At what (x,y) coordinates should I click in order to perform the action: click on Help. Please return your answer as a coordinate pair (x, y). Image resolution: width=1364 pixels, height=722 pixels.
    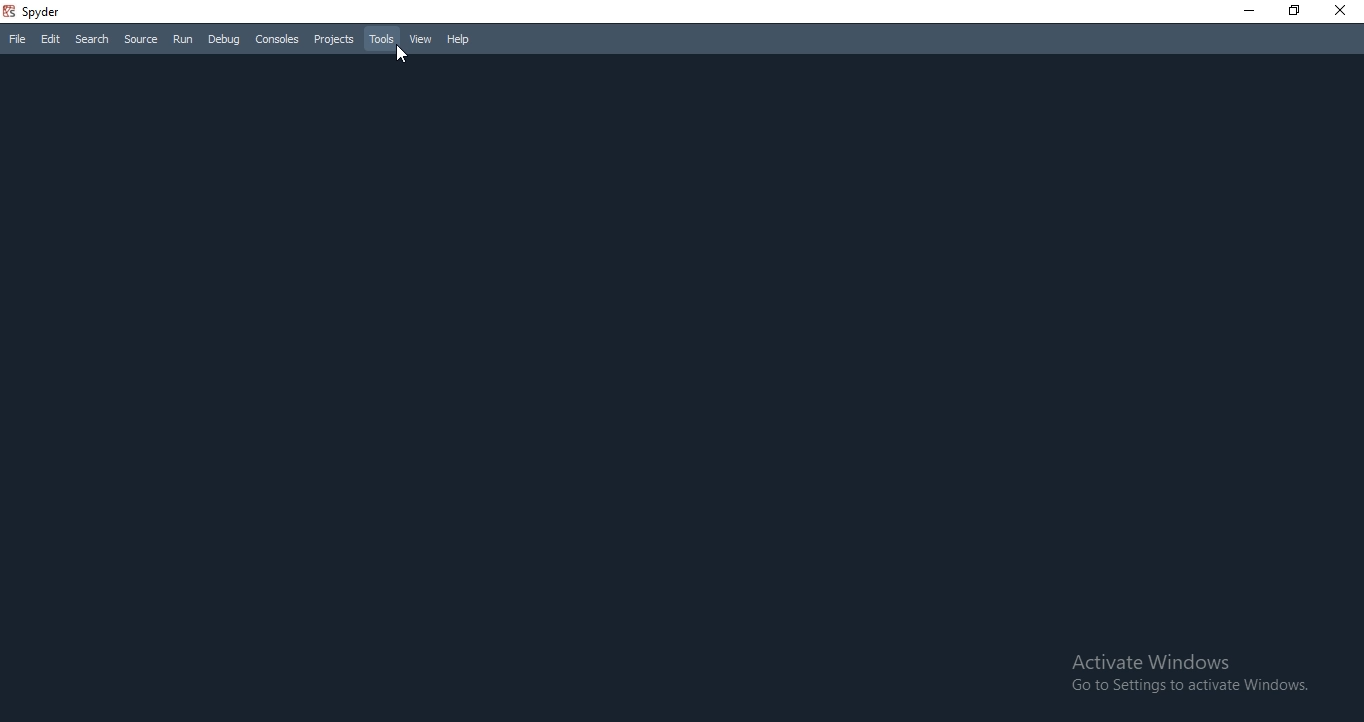
    Looking at the image, I should click on (459, 40).